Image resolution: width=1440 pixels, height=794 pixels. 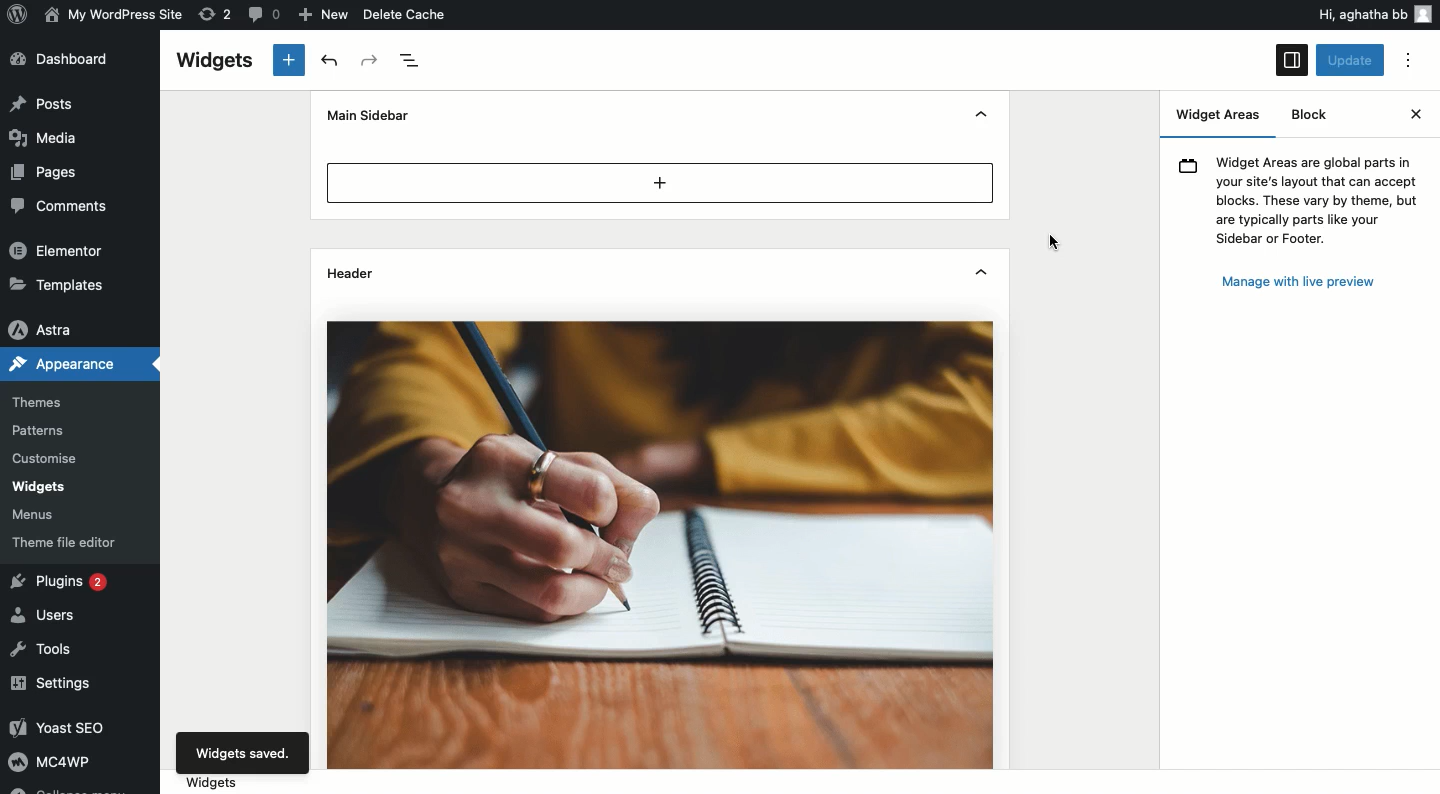 I want to click on Pages, so click(x=47, y=173).